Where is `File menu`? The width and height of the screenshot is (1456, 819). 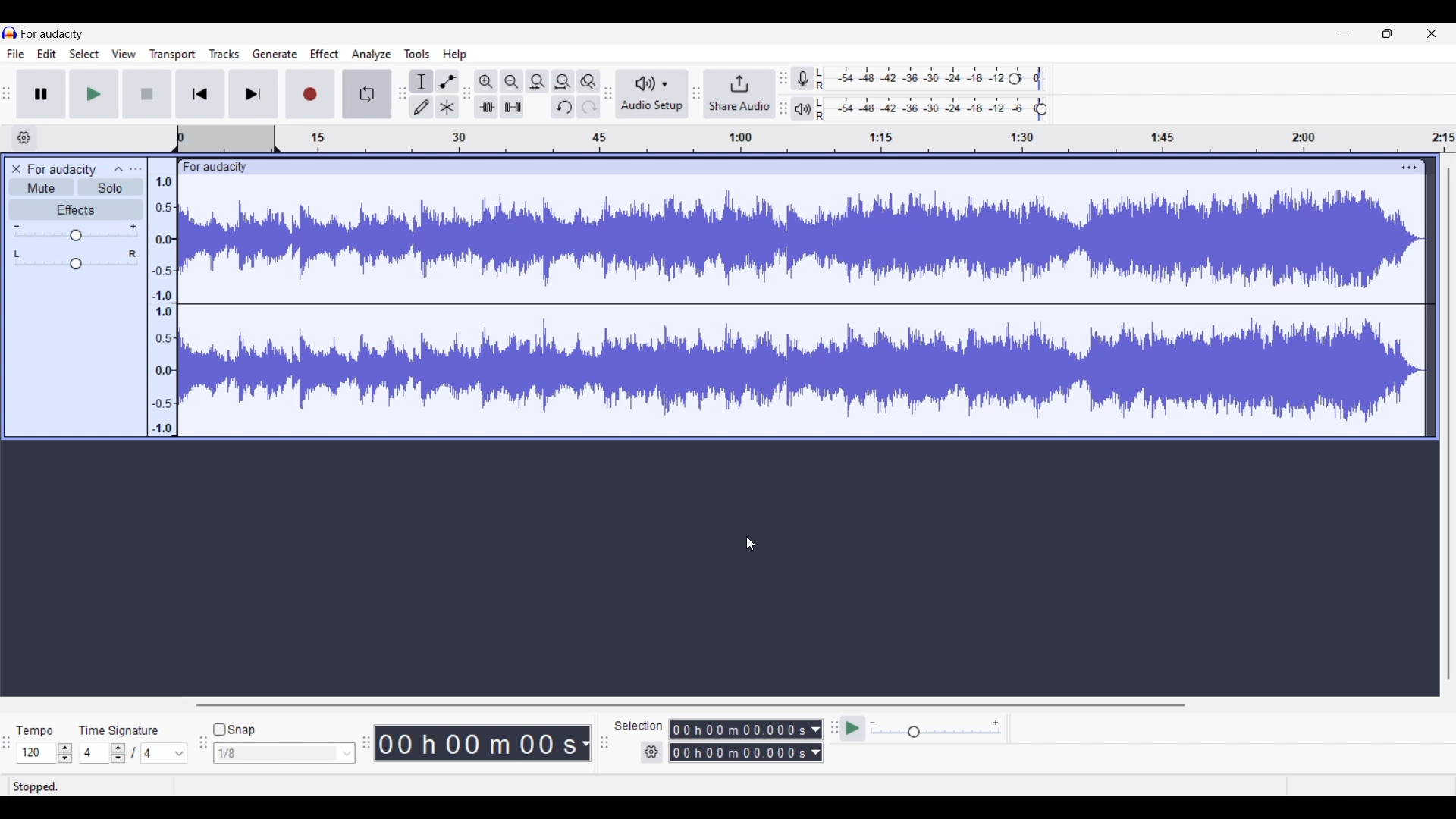
File menu is located at coordinates (14, 52).